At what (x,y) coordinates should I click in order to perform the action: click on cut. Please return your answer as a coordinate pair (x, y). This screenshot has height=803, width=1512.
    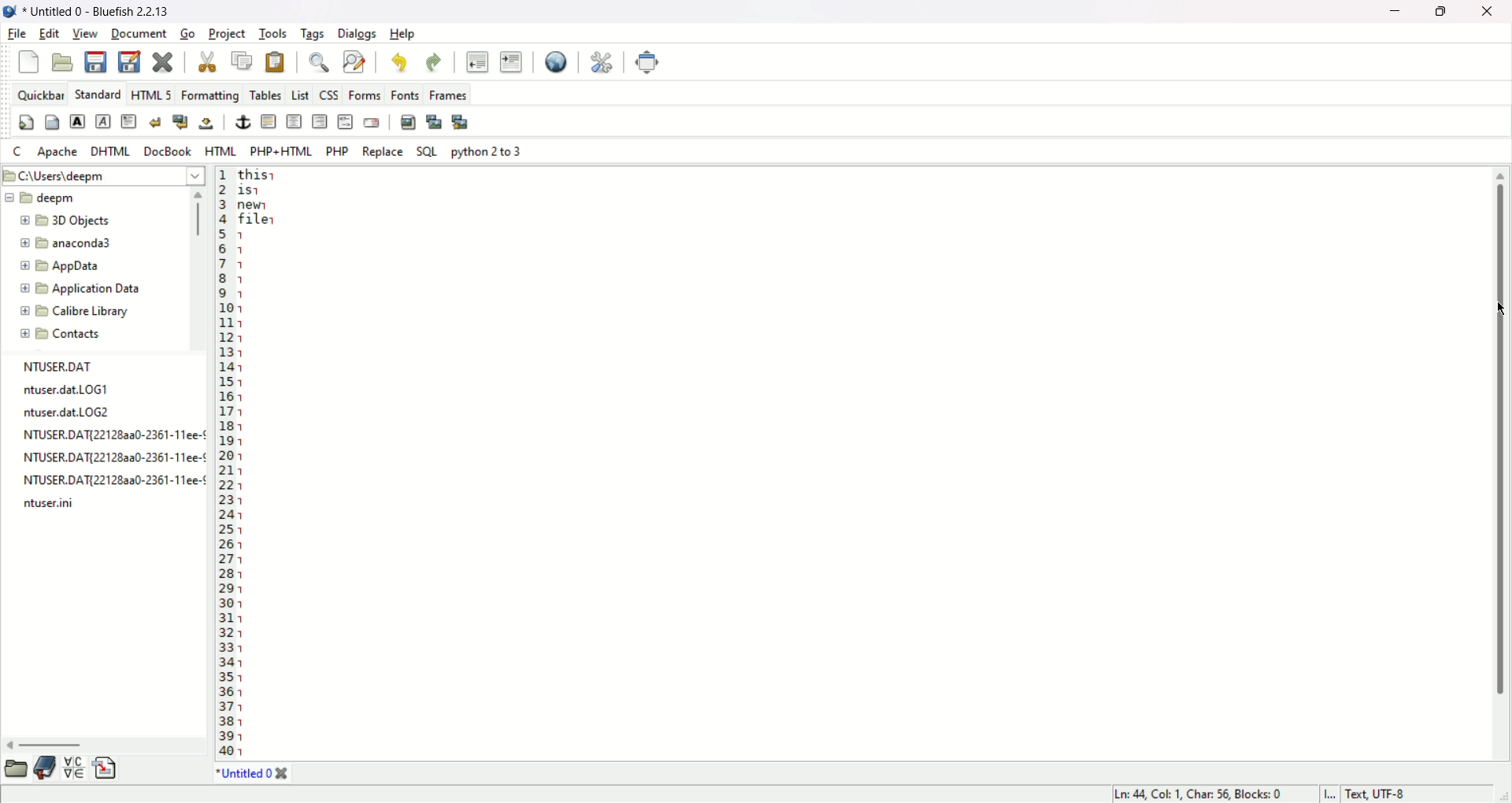
    Looking at the image, I should click on (206, 62).